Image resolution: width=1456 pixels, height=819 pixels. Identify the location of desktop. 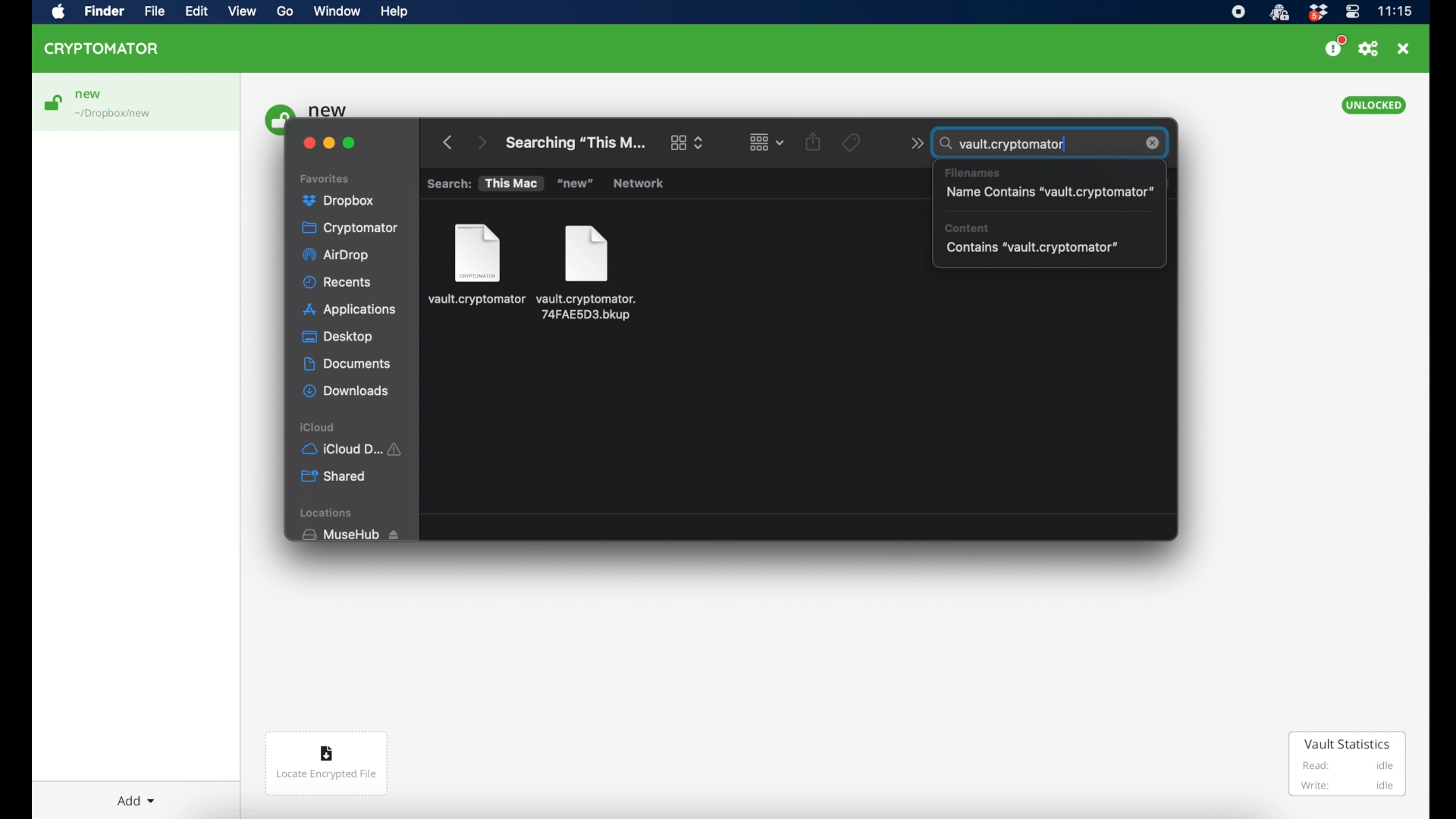
(337, 337).